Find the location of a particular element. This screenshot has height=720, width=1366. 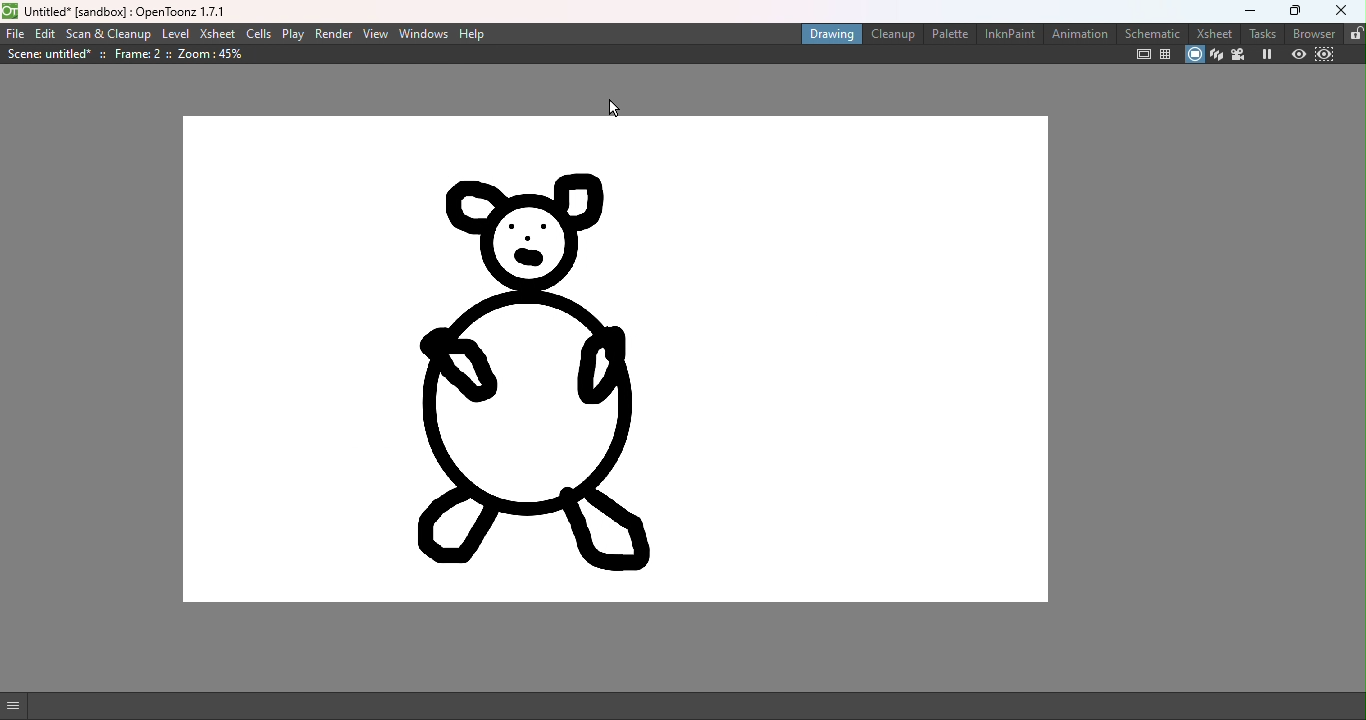

Drawing is located at coordinates (827, 35).